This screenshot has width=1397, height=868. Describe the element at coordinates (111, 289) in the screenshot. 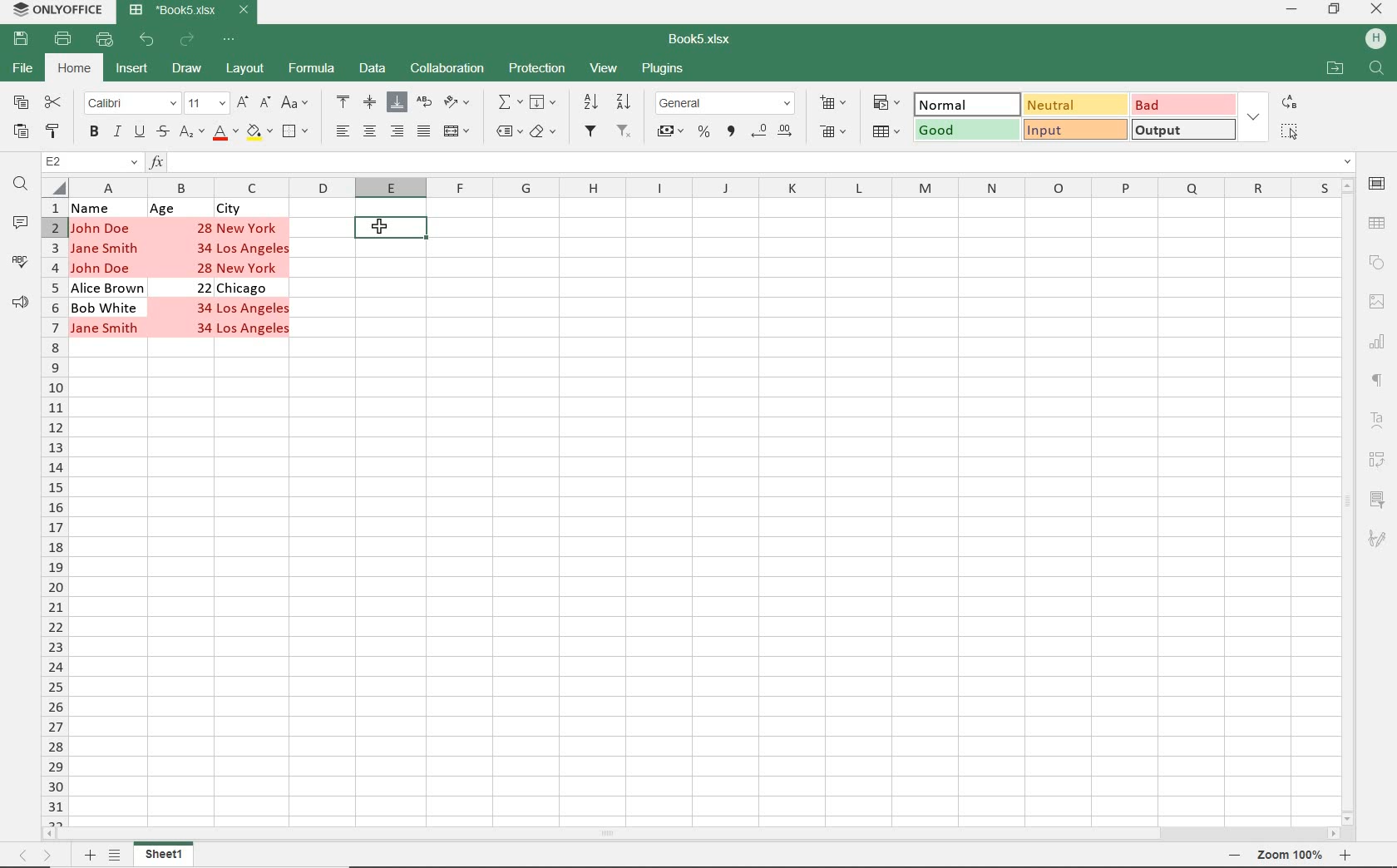

I see `Alice Brown` at that location.